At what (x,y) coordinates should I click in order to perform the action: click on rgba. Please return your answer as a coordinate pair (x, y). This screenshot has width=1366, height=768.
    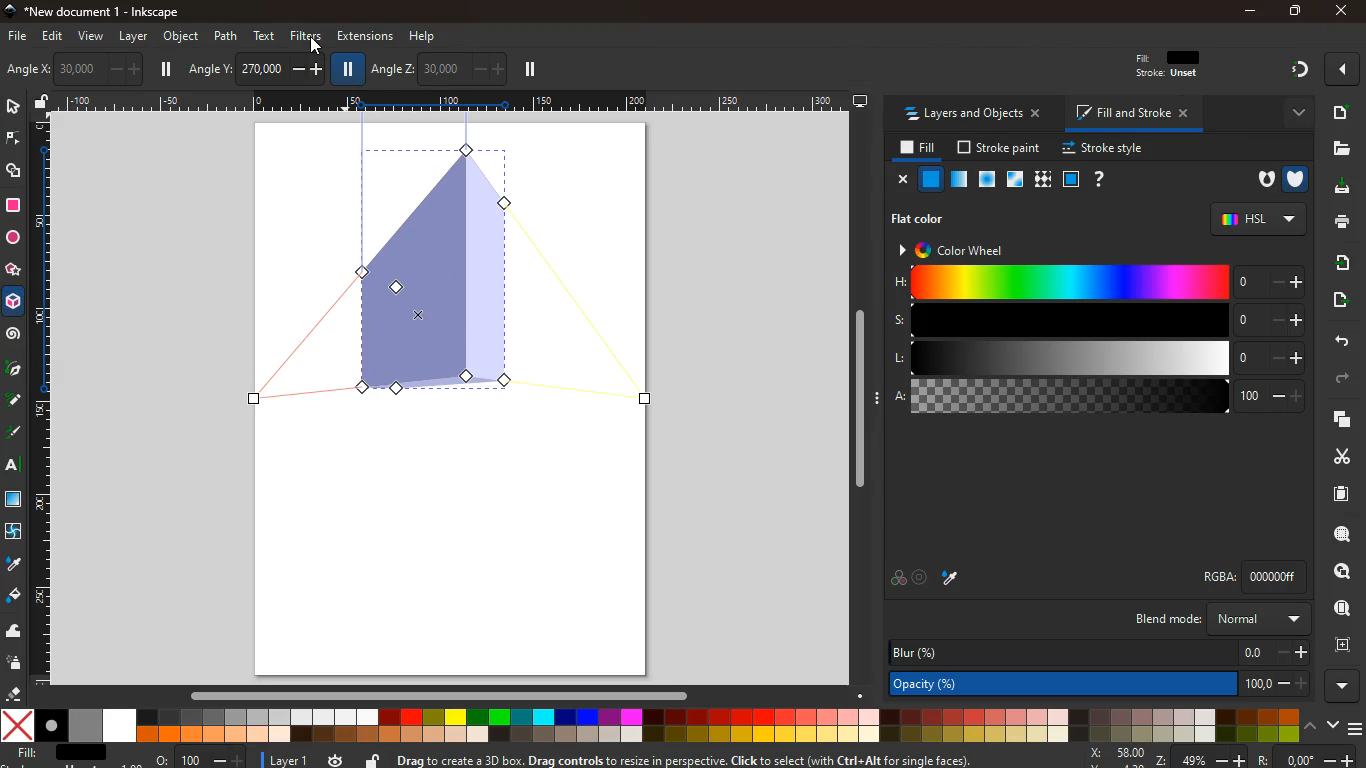
    Looking at the image, I should click on (1235, 577).